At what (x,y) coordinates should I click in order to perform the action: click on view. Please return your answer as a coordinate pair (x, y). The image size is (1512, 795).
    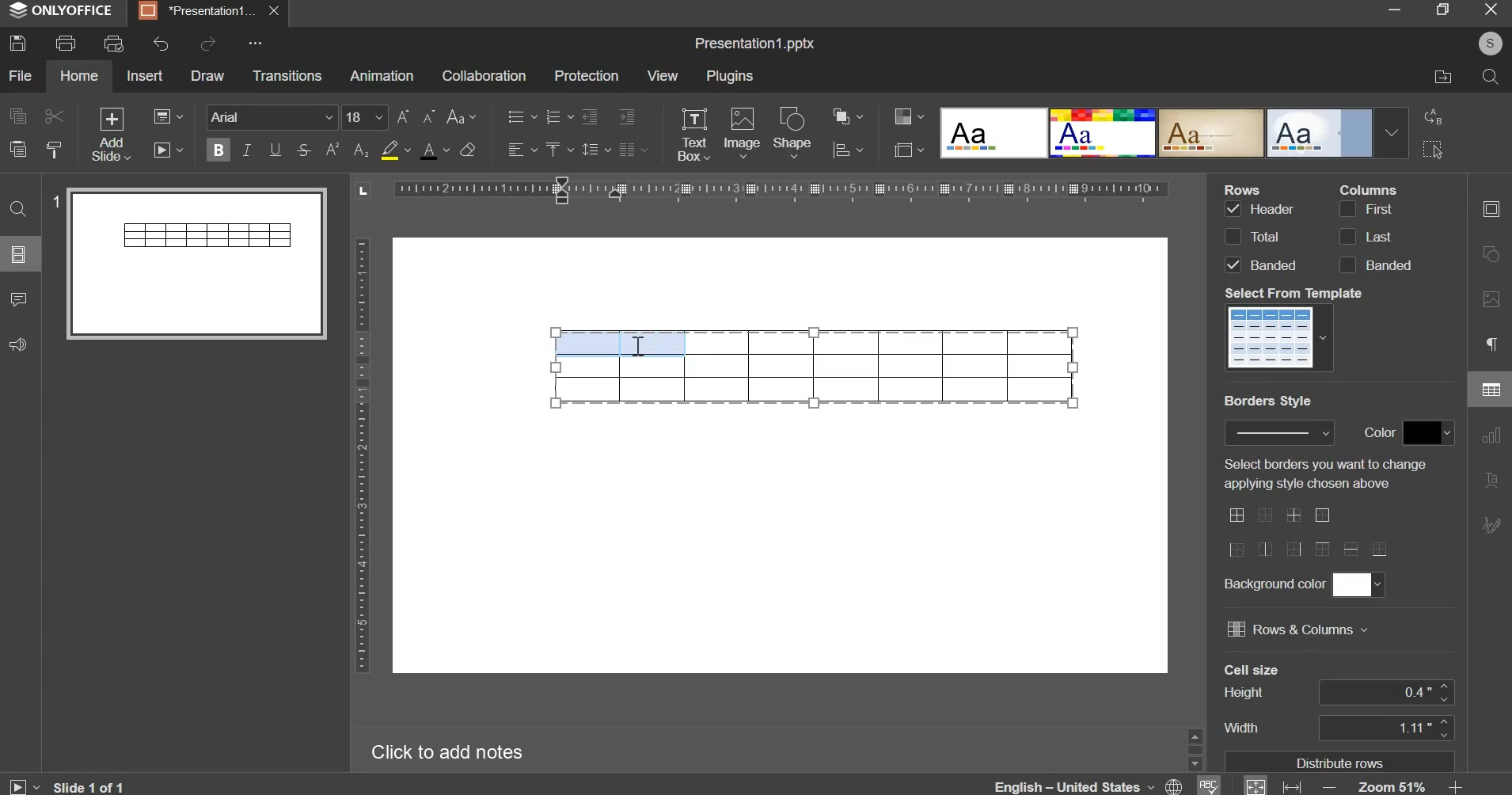
    Looking at the image, I should click on (663, 75).